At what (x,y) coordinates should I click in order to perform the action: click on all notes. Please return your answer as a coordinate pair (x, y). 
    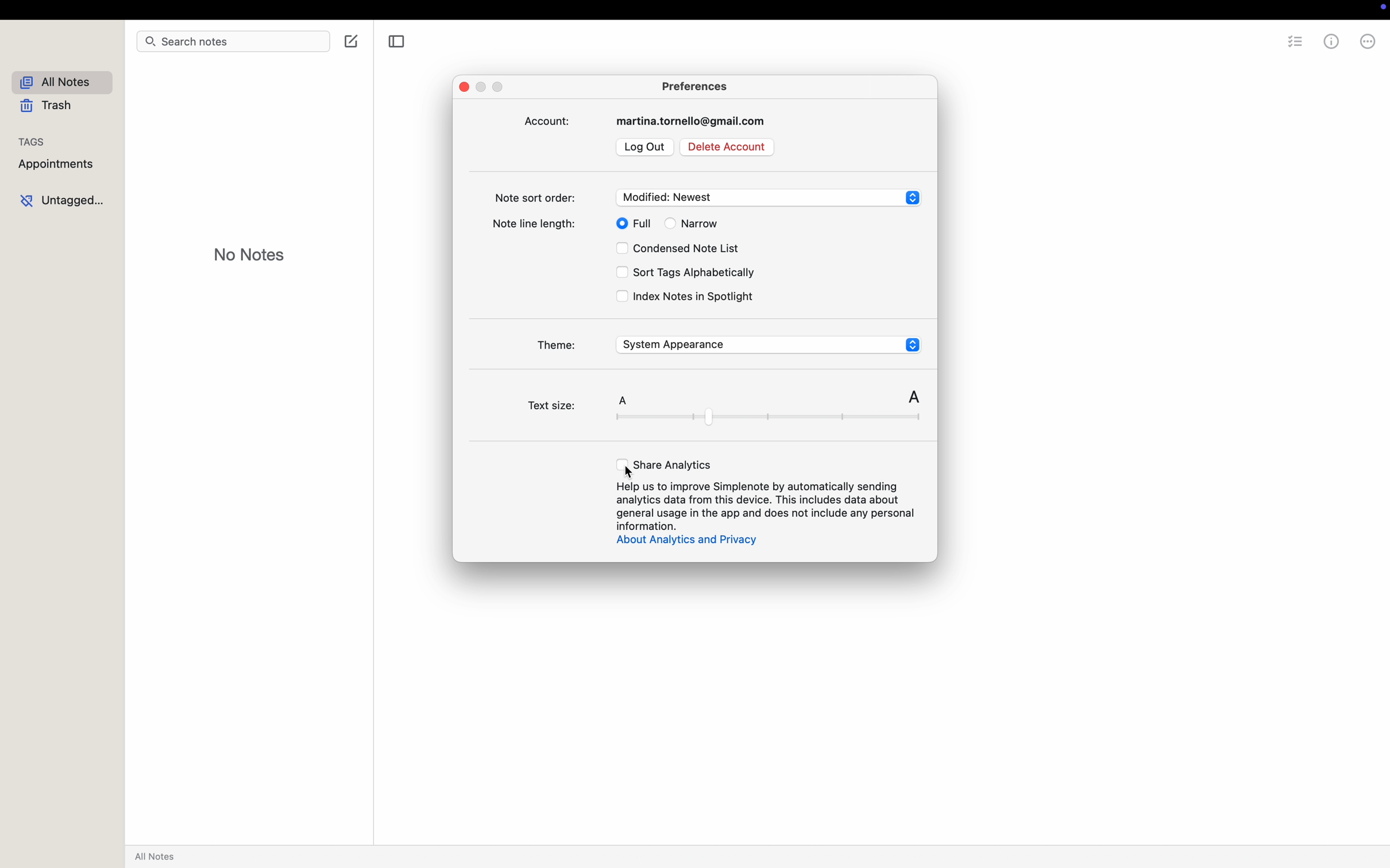
    Looking at the image, I should click on (61, 82).